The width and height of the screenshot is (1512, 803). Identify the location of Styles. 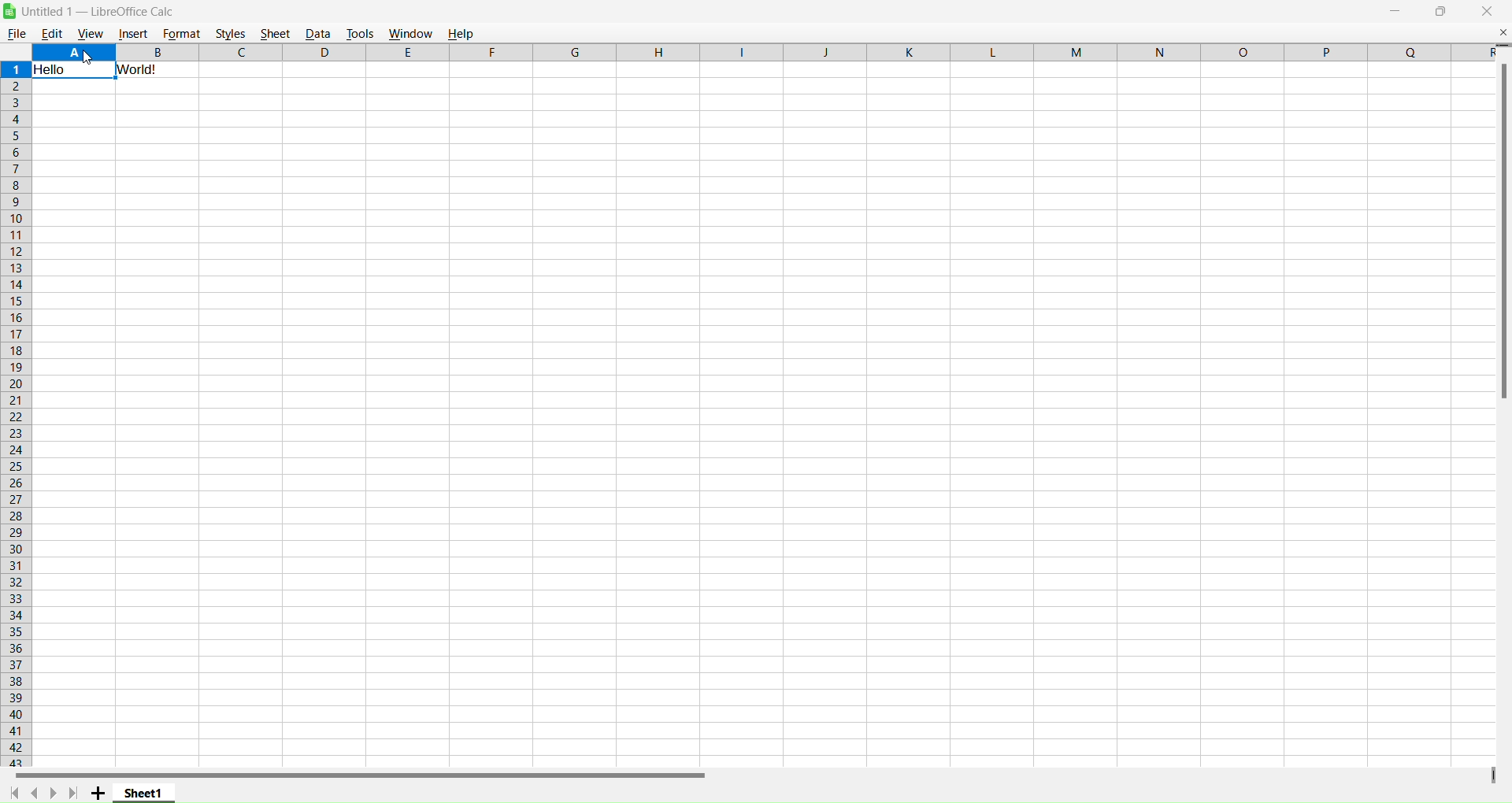
(231, 33).